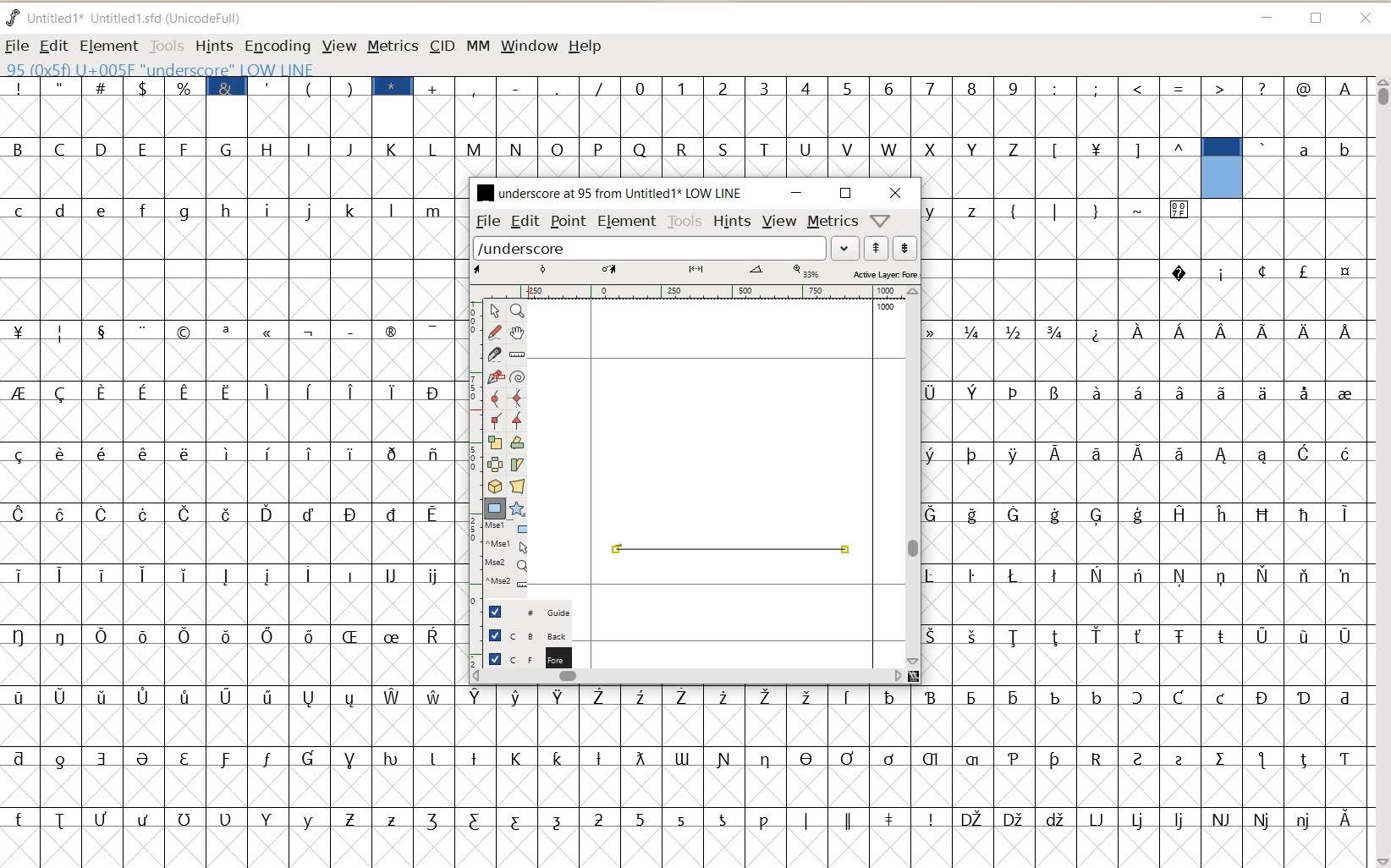 The width and height of the screenshot is (1391, 868). What do you see at coordinates (905, 248) in the screenshot?
I see `show next word list` at bounding box center [905, 248].